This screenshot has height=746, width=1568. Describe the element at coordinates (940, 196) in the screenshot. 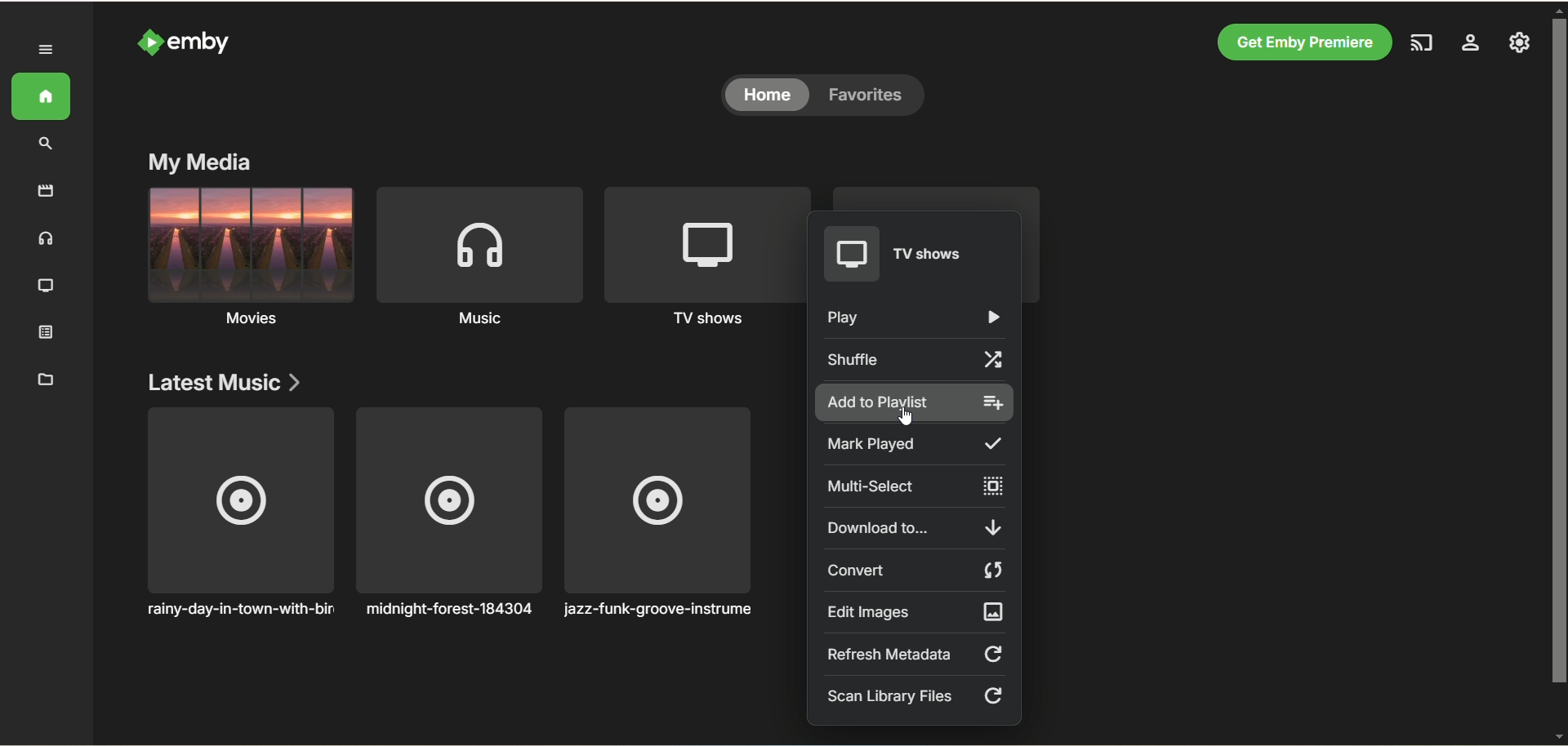

I see `playlists` at that location.